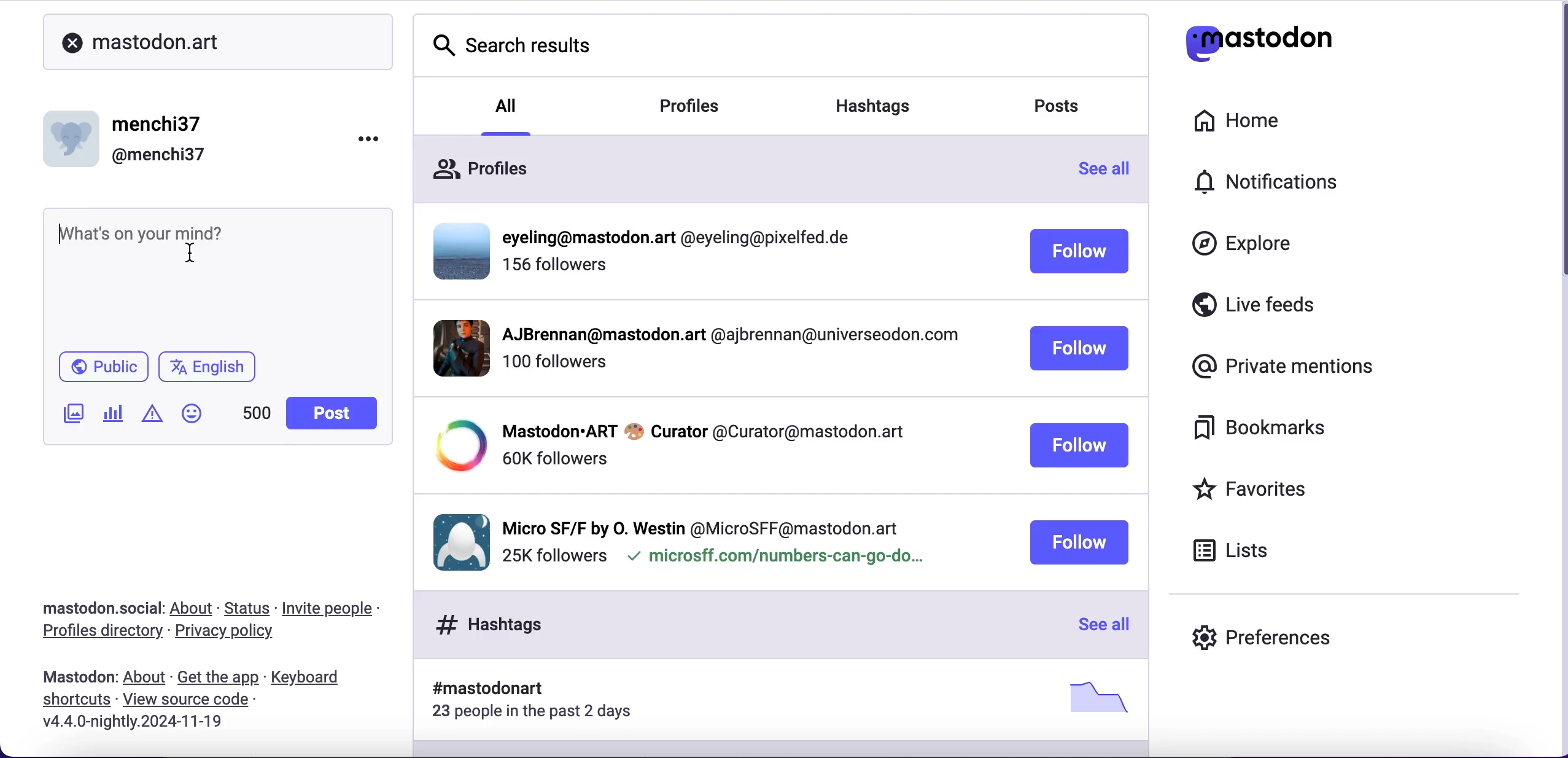  Describe the element at coordinates (1277, 240) in the screenshot. I see `explore` at that location.